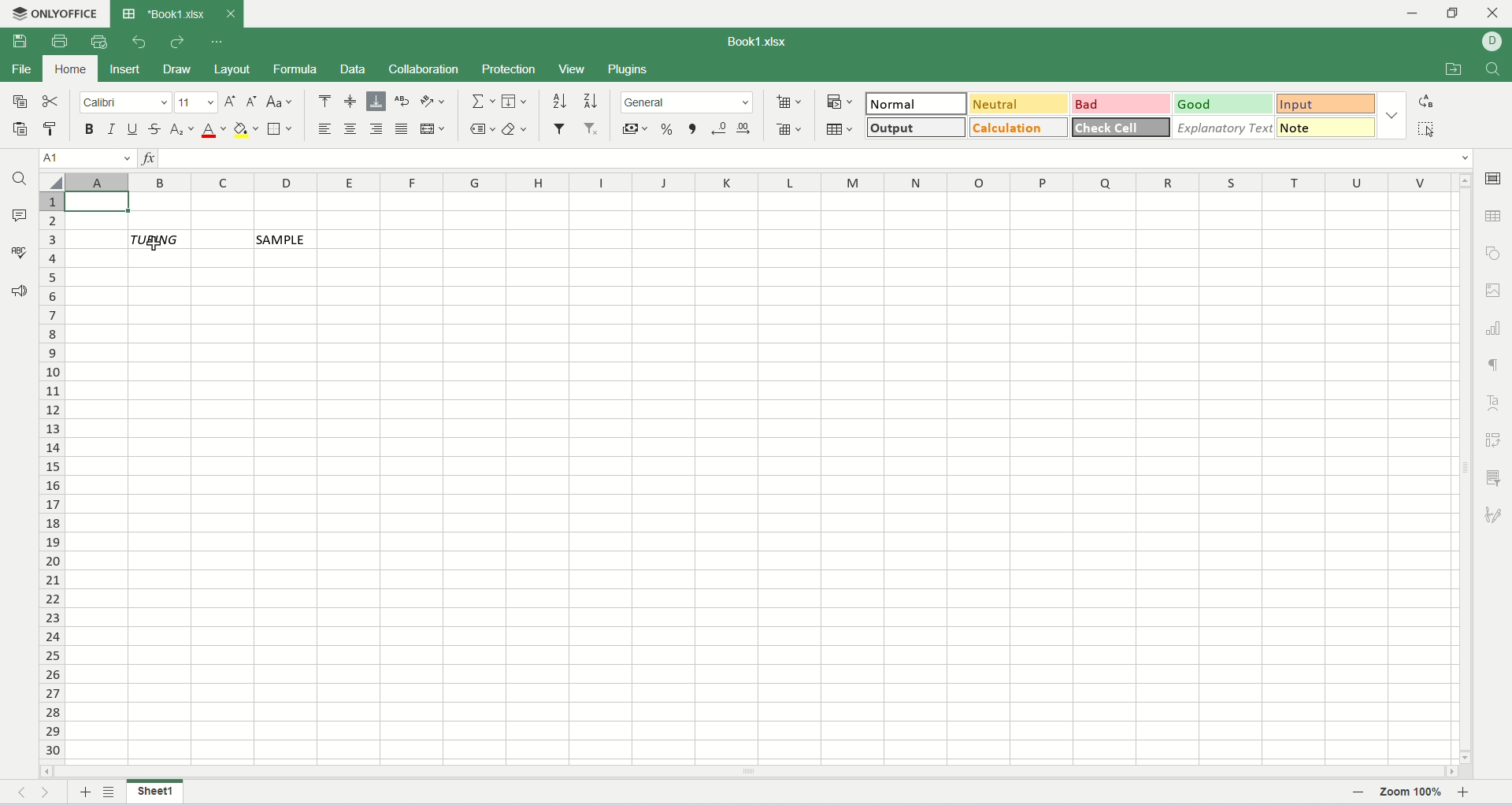 This screenshot has height=805, width=1512. I want to click on find, so click(1493, 69).